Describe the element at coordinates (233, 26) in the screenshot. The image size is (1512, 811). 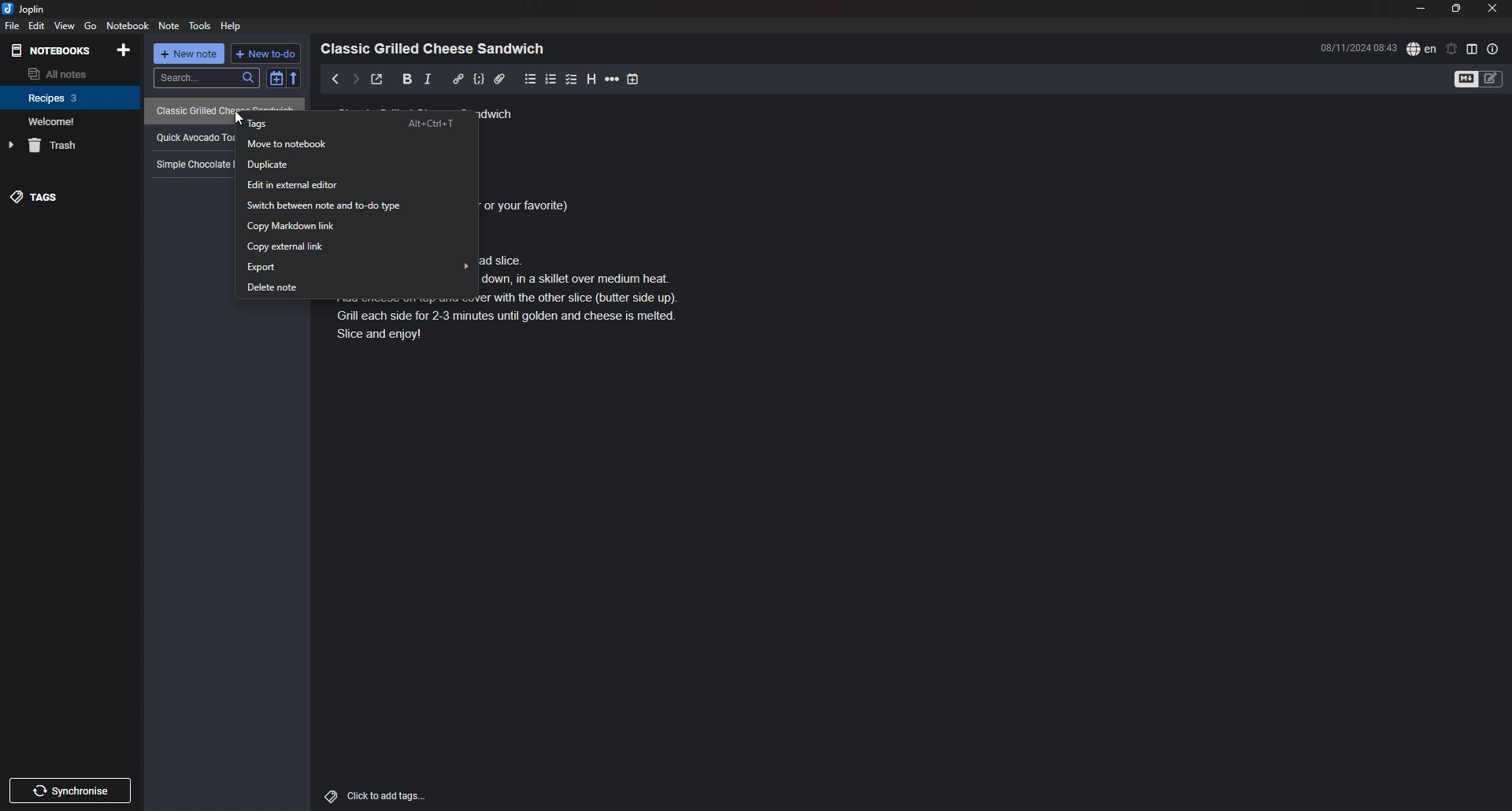
I see `help` at that location.